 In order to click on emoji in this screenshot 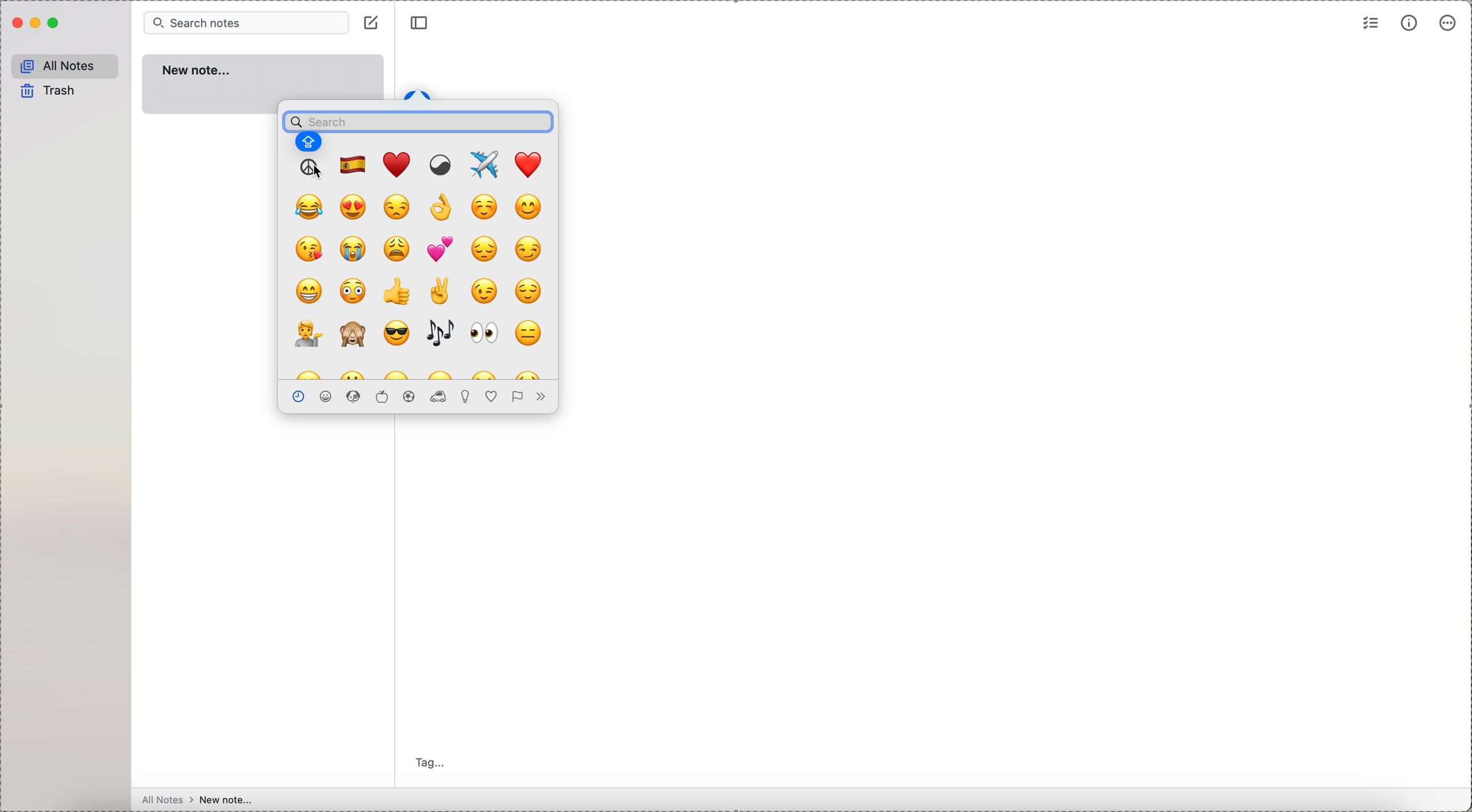, I will do `click(486, 374)`.